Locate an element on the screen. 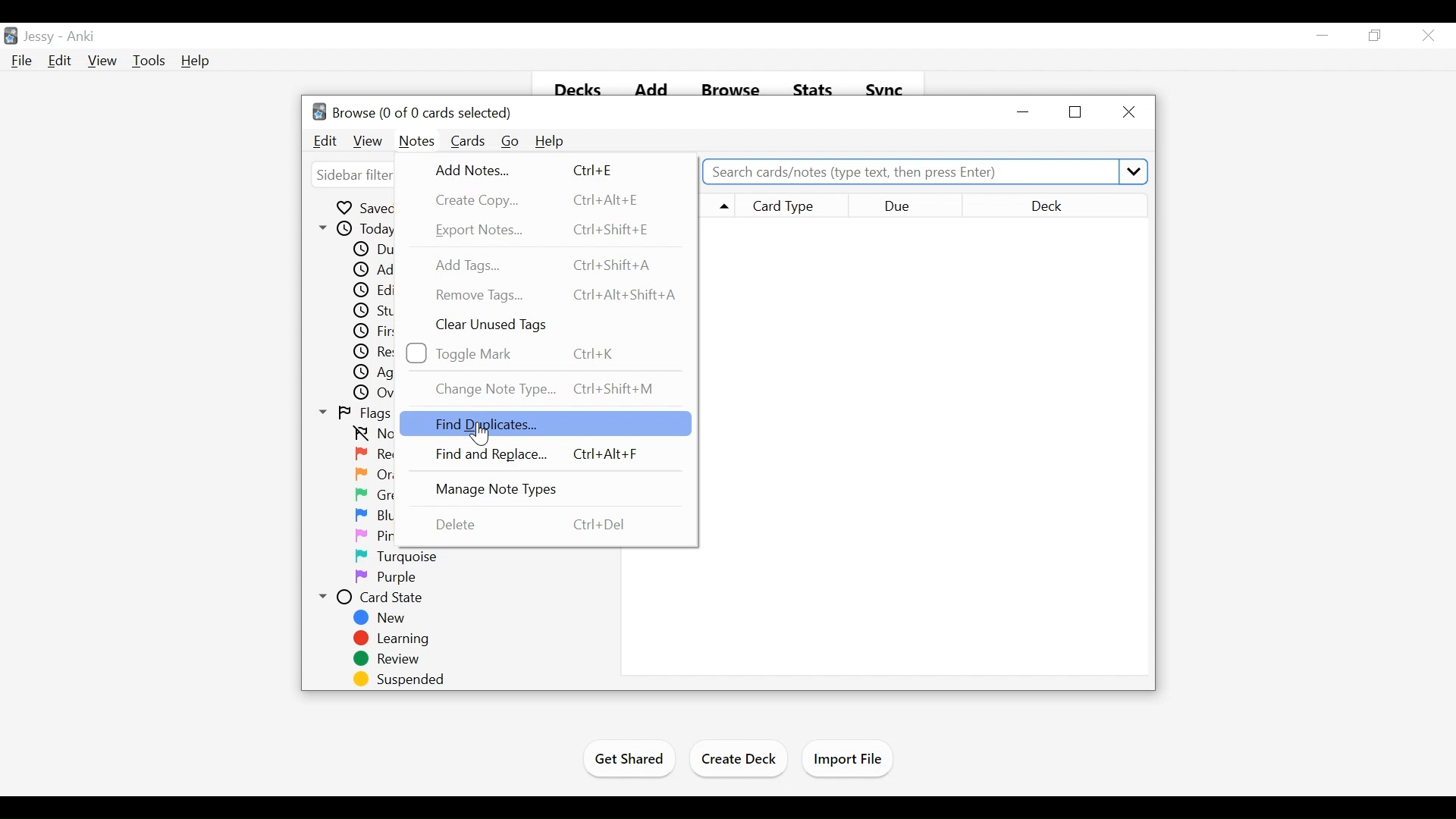  Again is located at coordinates (384, 373).